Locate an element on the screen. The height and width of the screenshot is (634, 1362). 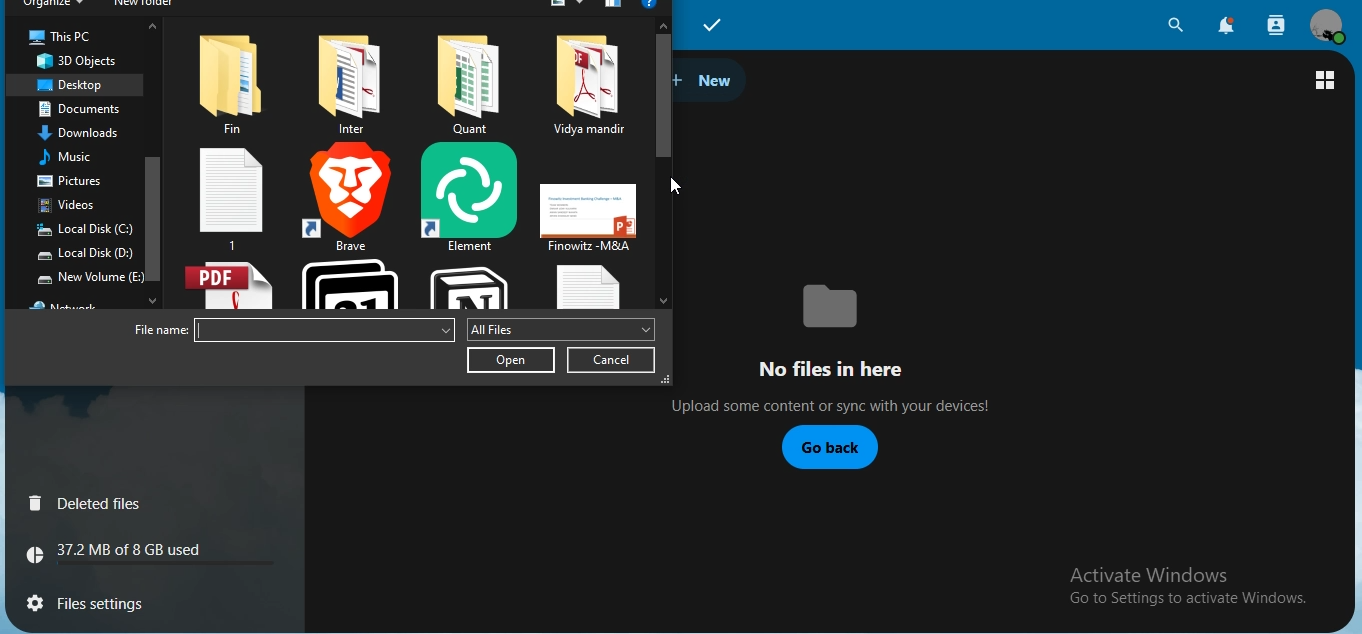
file is located at coordinates (235, 80).